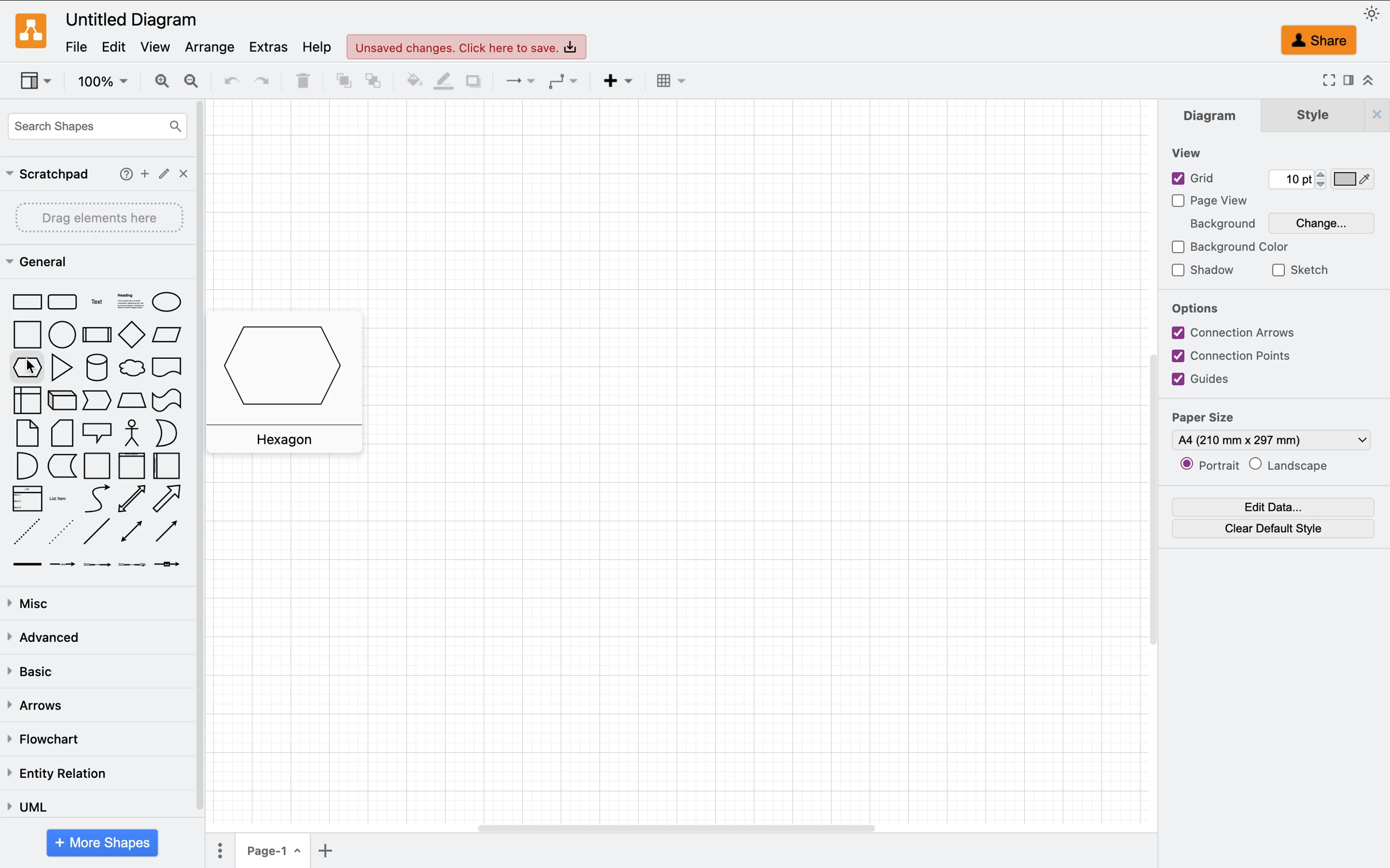 The height and width of the screenshot is (868, 1390). I want to click on callout, so click(95, 433).